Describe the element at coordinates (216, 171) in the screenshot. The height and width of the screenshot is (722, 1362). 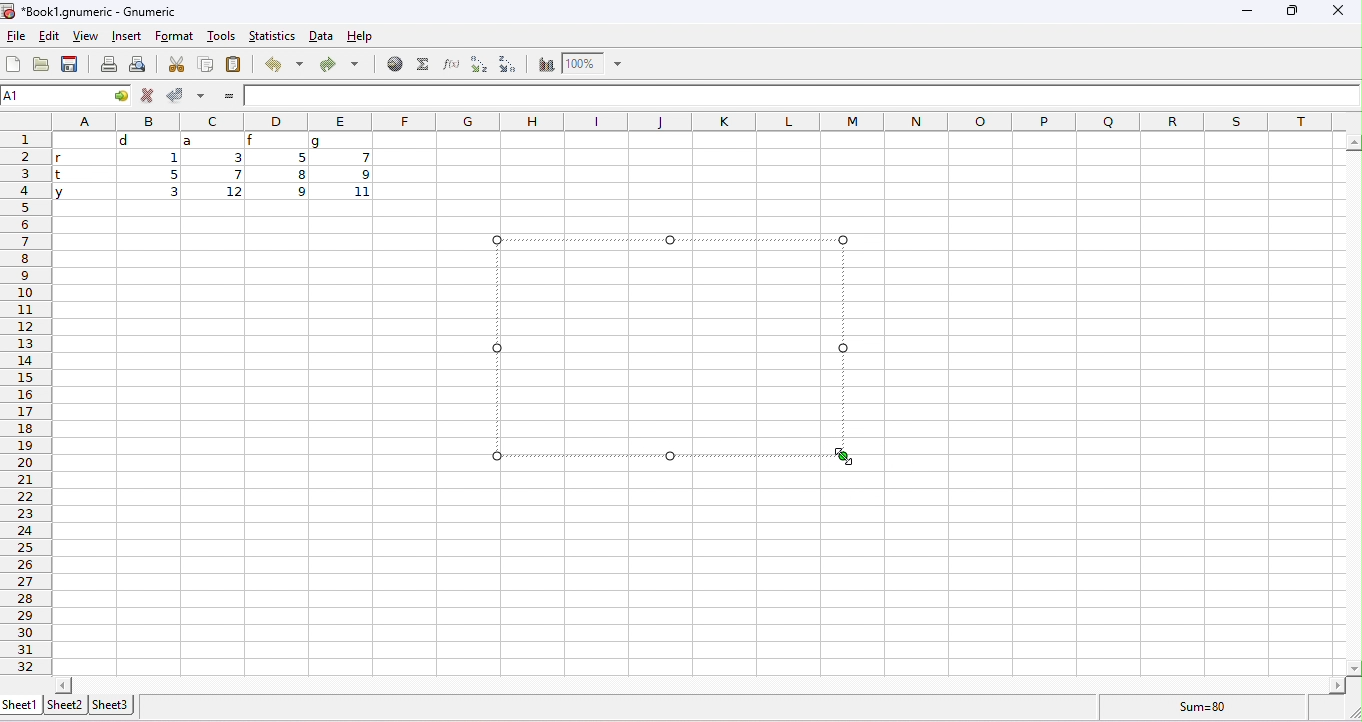
I see `cell ranges` at that location.